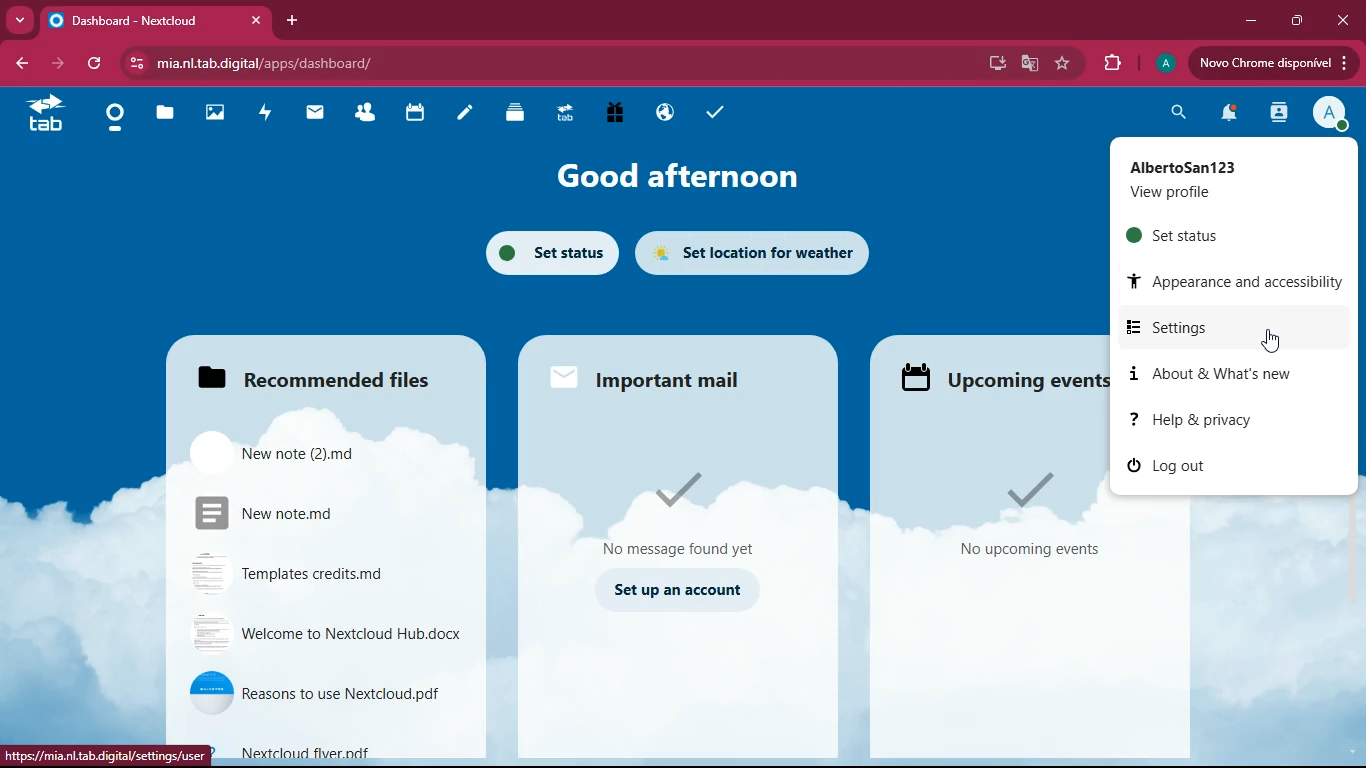 The width and height of the screenshot is (1366, 768). I want to click on set status, so click(1185, 235).